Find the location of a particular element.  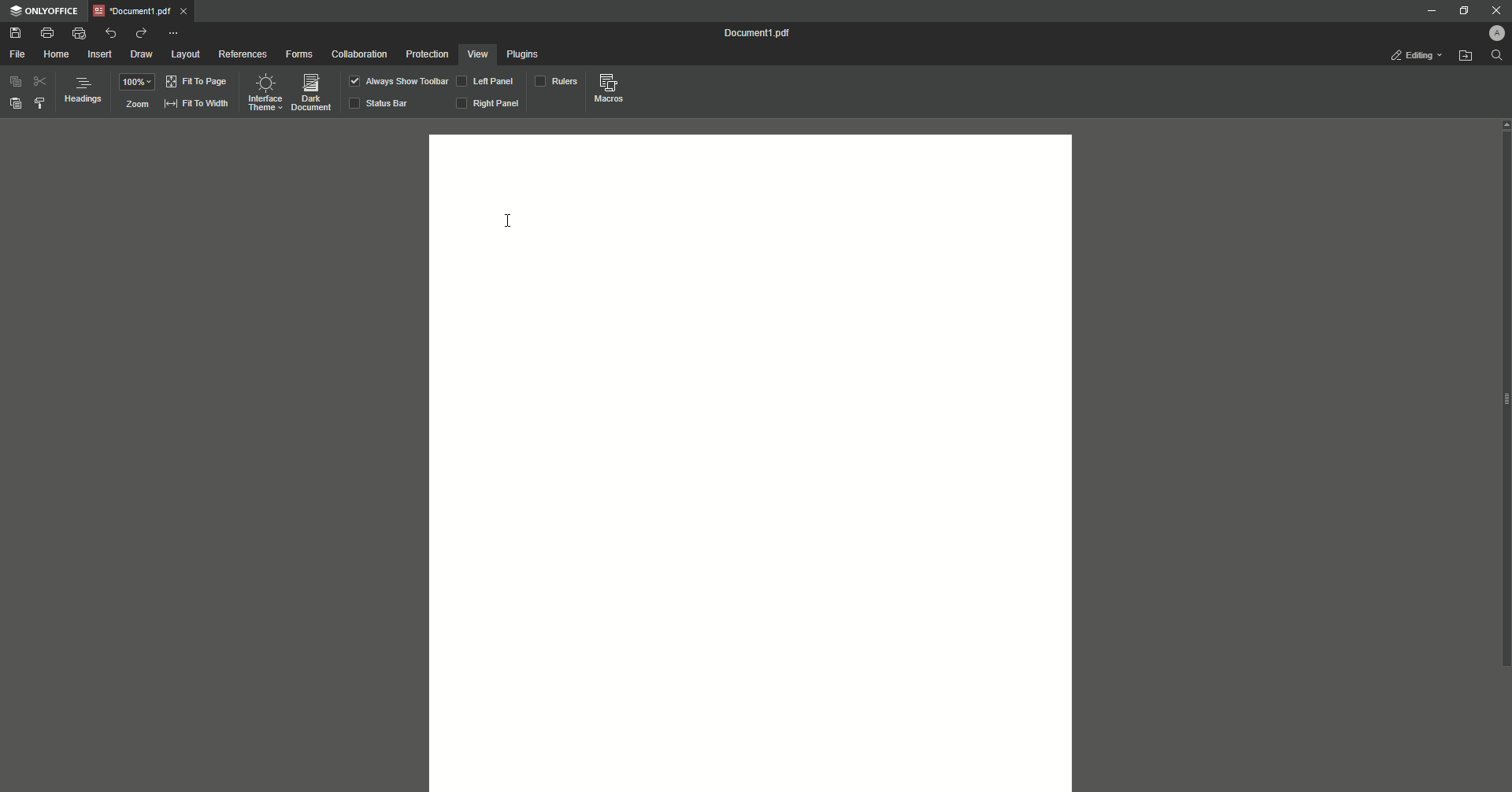

File is located at coordinates (20, 54).